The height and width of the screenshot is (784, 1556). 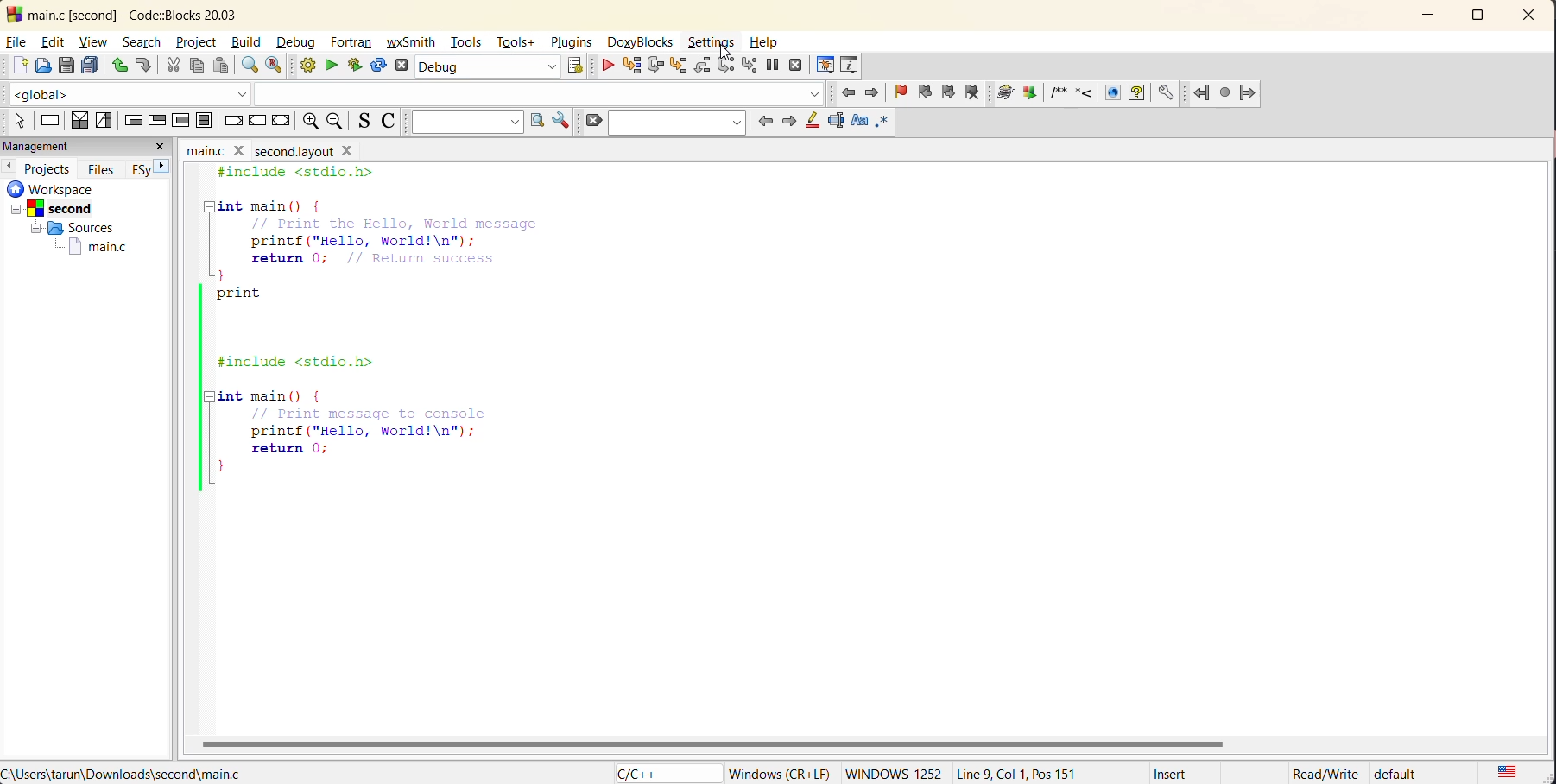 I want to click on debug, so click(x=300, y=43).